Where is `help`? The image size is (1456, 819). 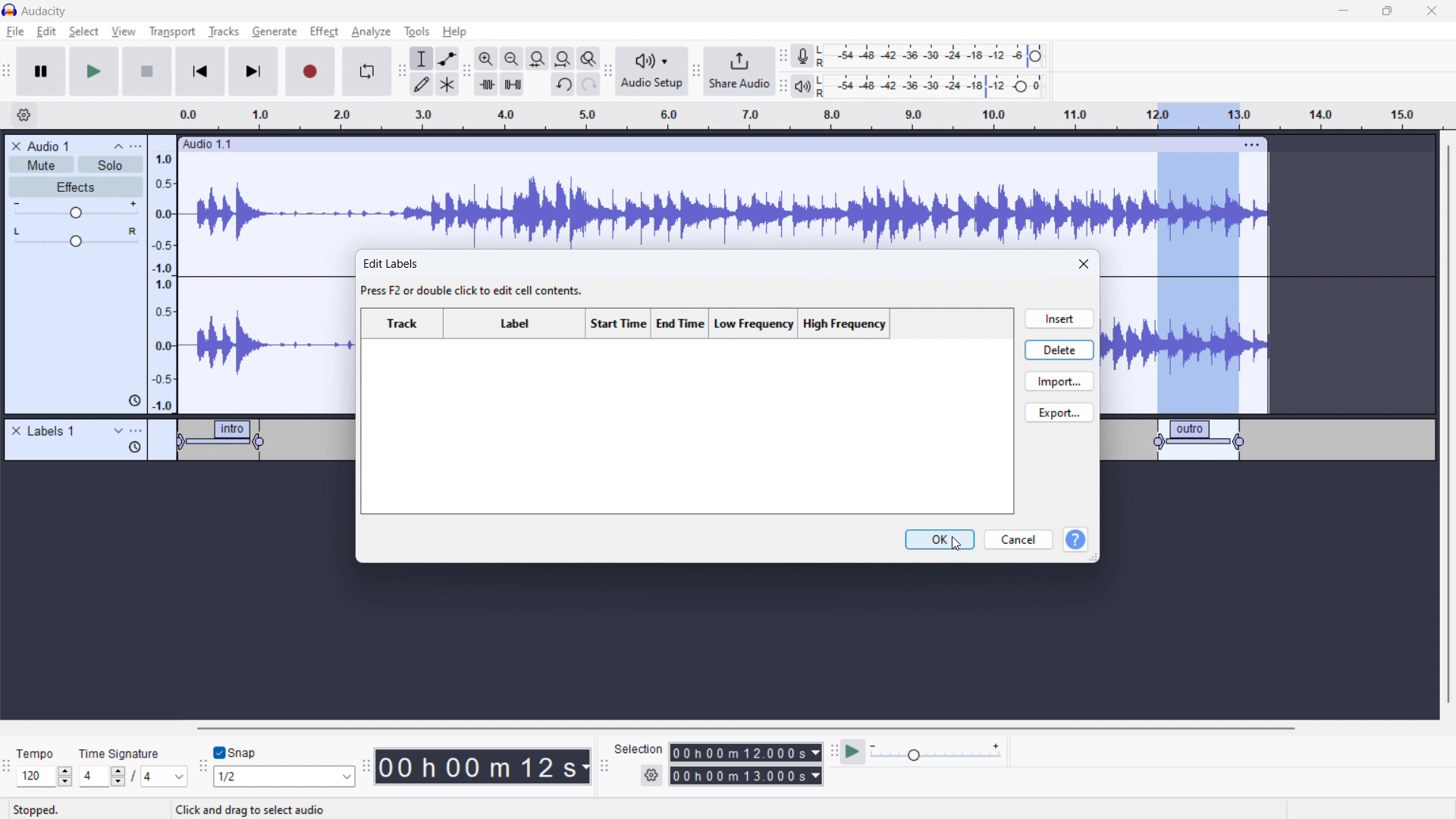
help is located at coordinates (1075, 541).